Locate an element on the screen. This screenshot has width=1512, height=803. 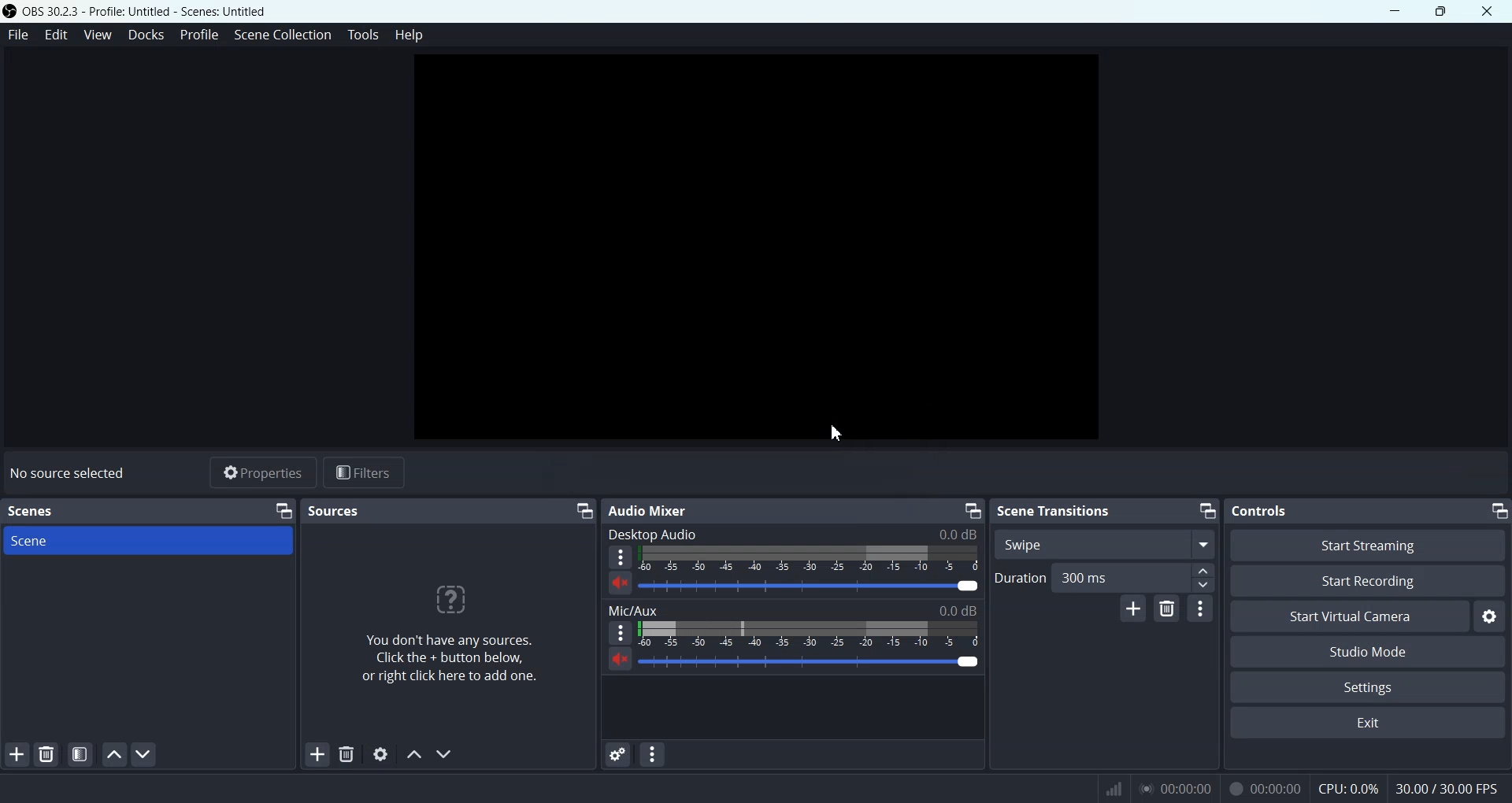
Minimize is located at coordinates (1208, 512).